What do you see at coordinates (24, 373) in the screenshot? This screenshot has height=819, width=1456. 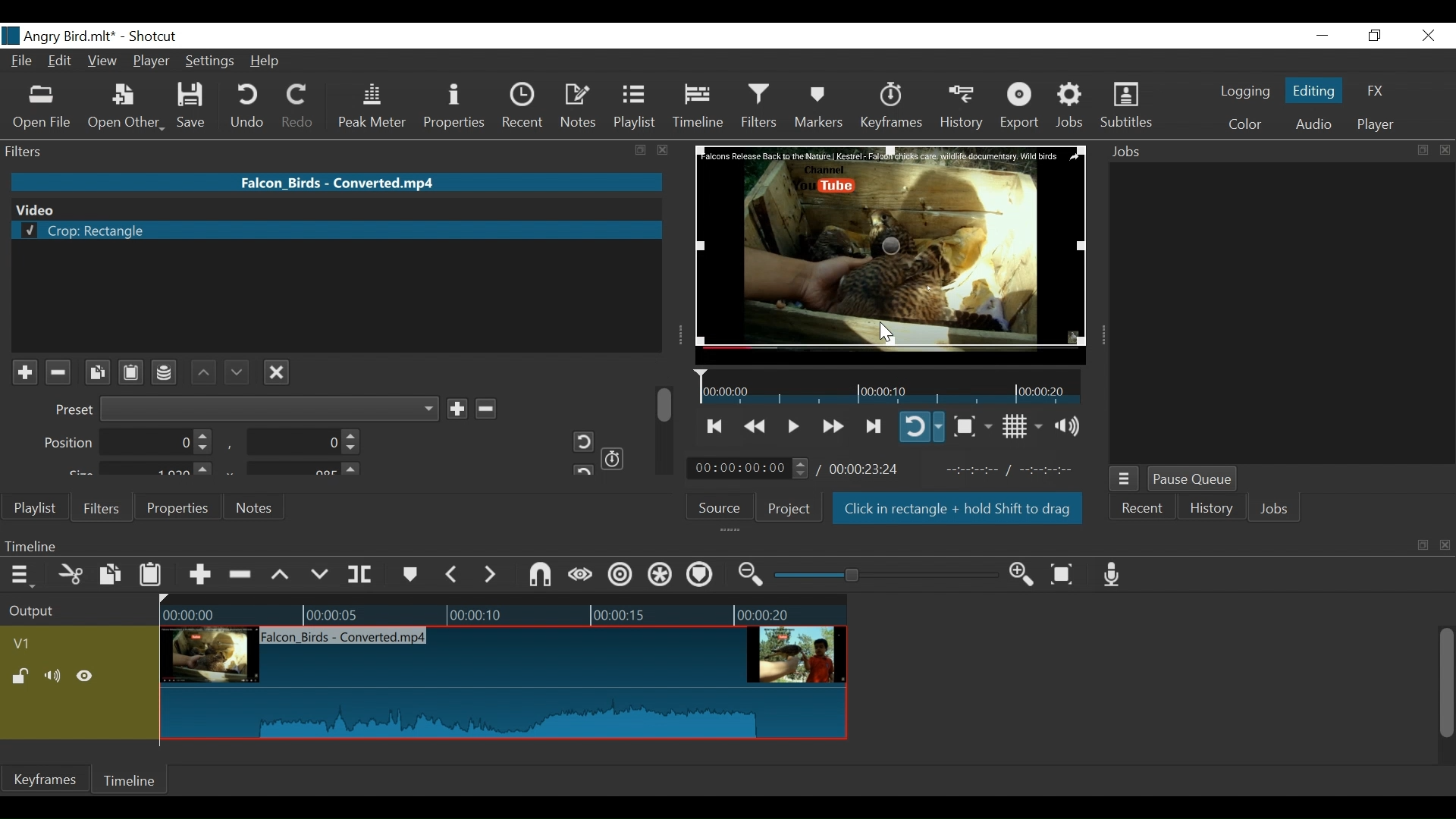 I see `Plus` at bounding box center [24, 373].